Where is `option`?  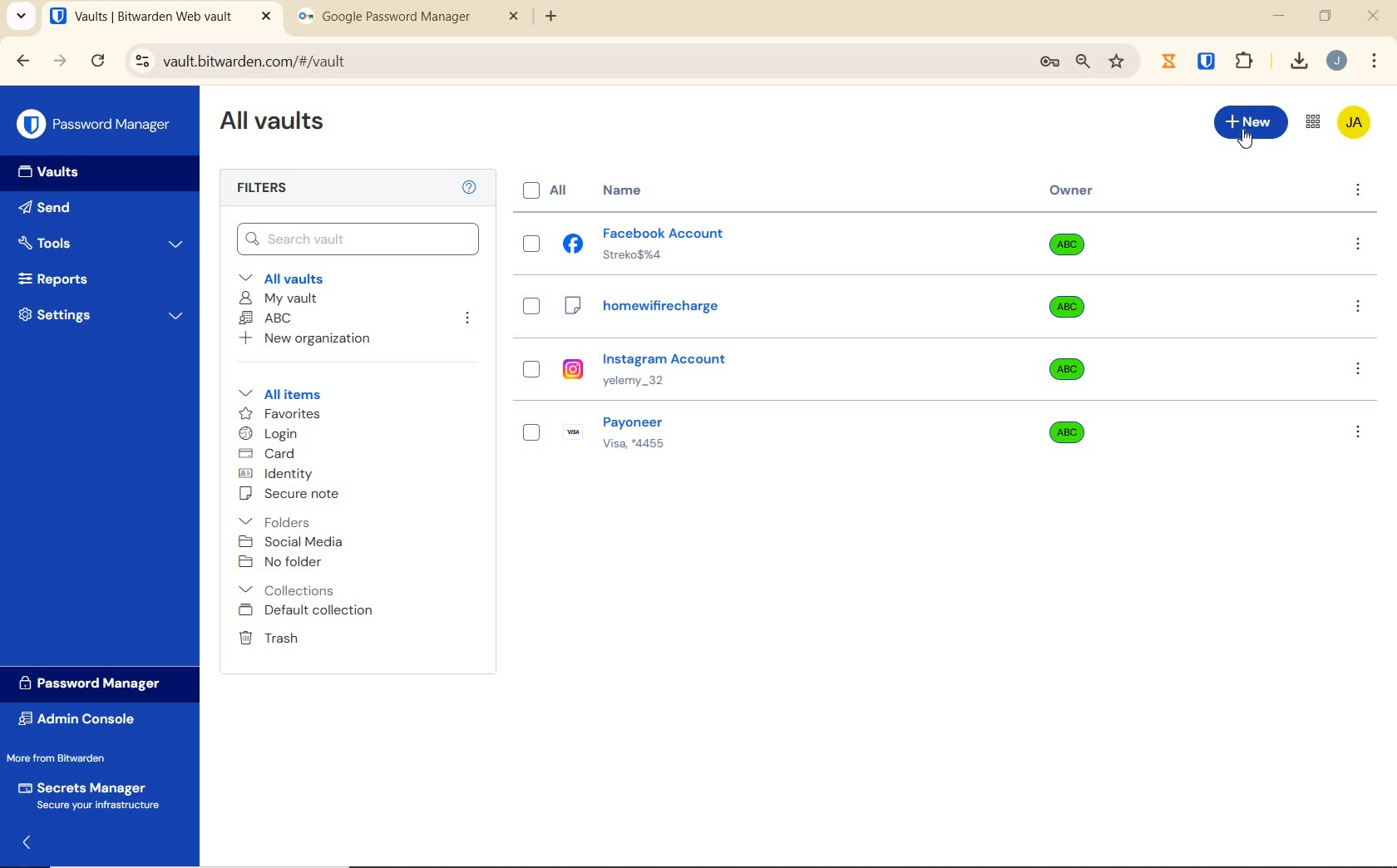 option is located at coordinates (1357, 431).